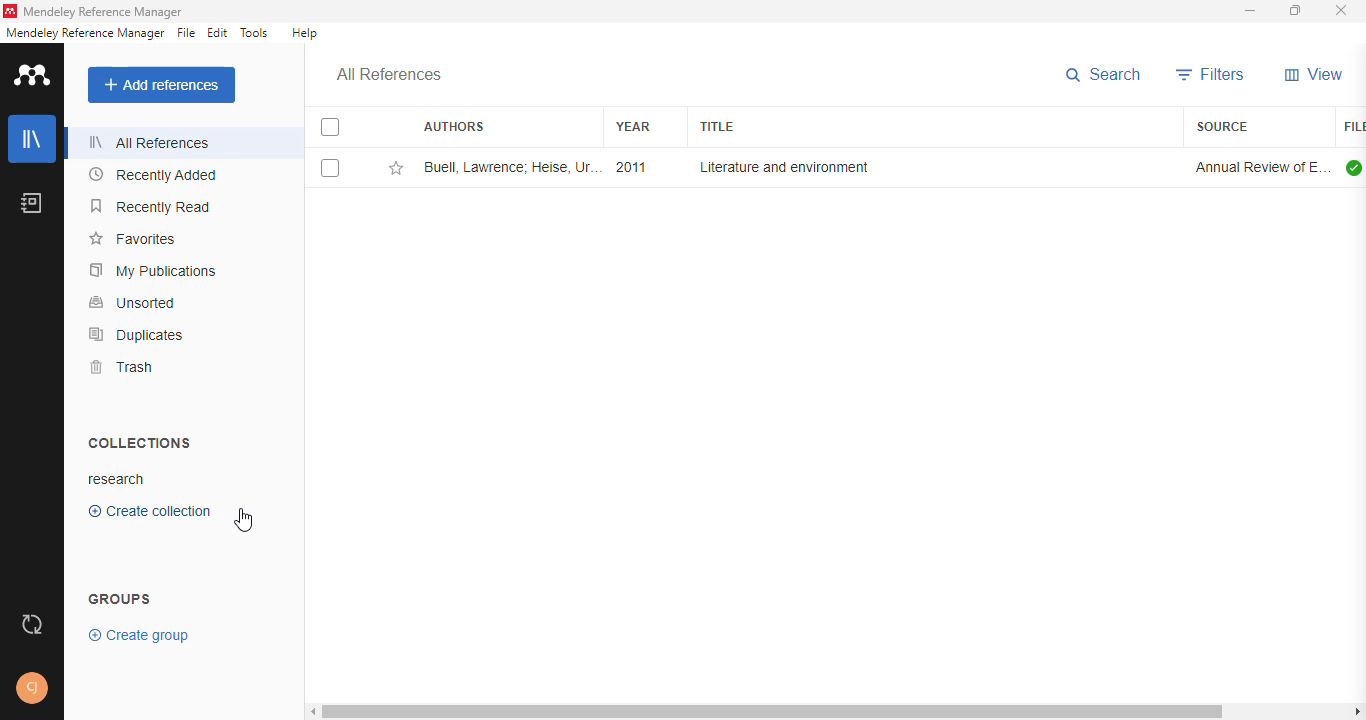 The height and width of the screenshot is (720, 1366). I want to click on filters, so click(1211, 74).